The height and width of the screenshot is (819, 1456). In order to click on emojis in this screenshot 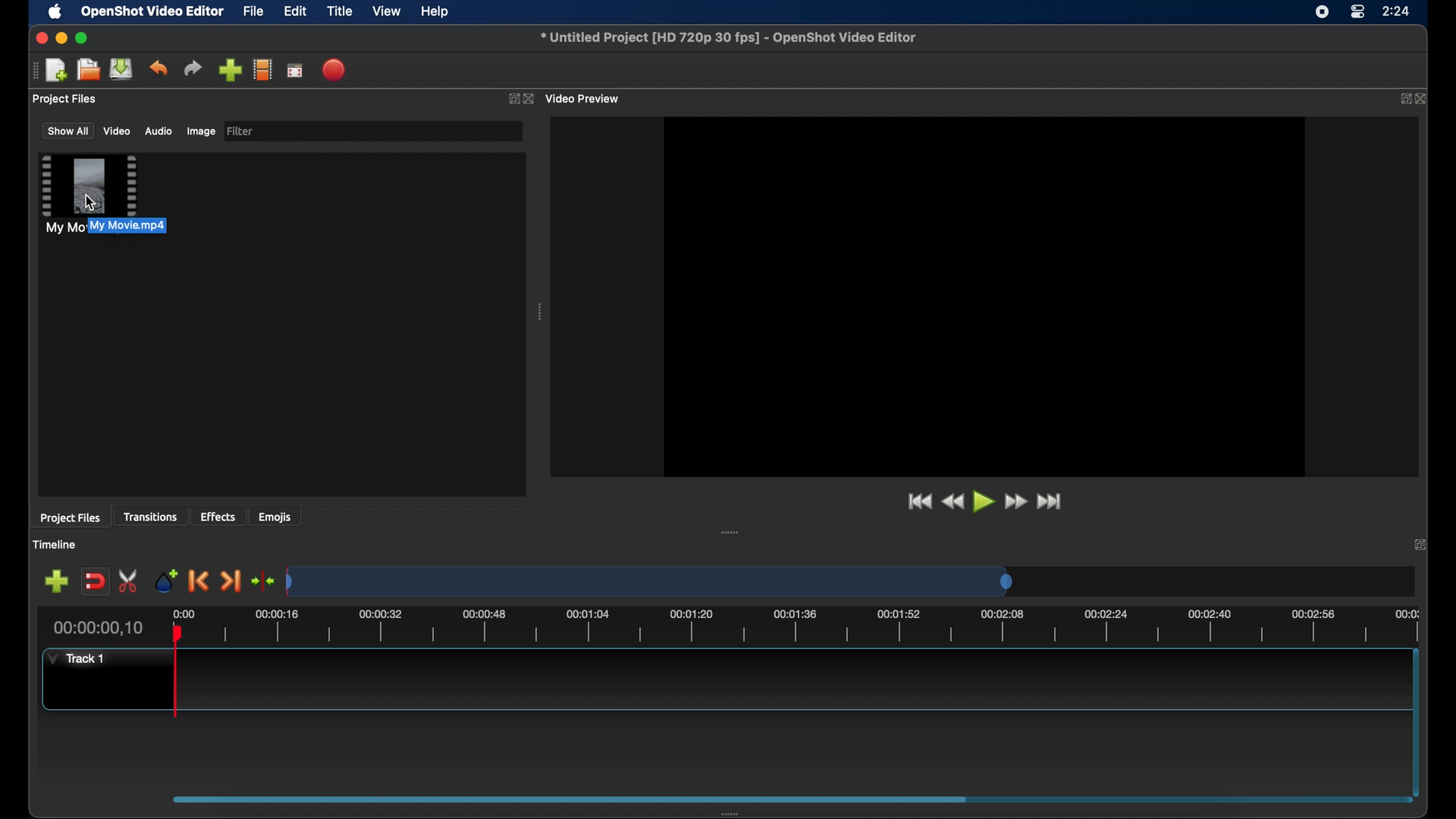, I will do `click(277, 517)`.